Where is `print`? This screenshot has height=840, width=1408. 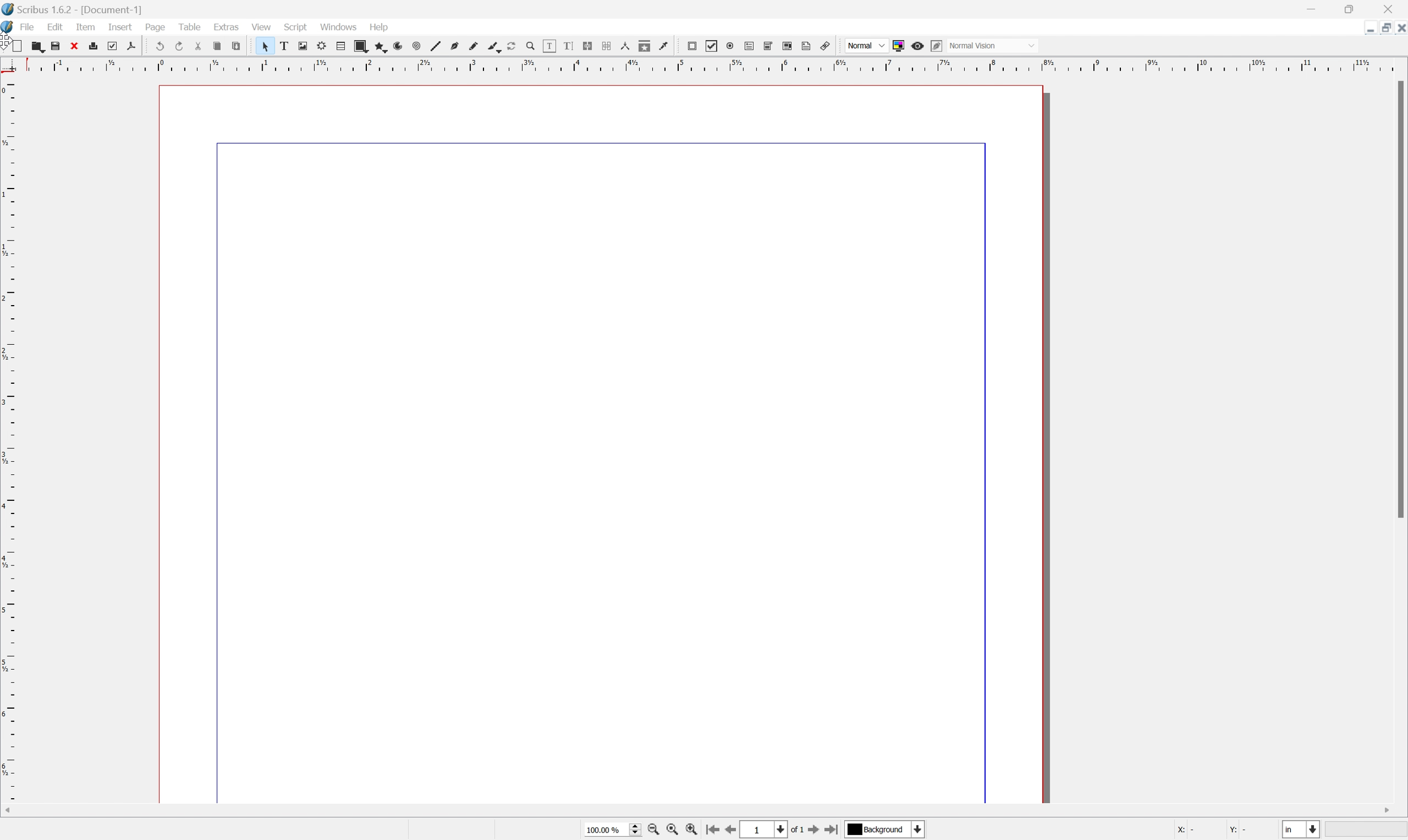
print is located at coordinates (94, 45).